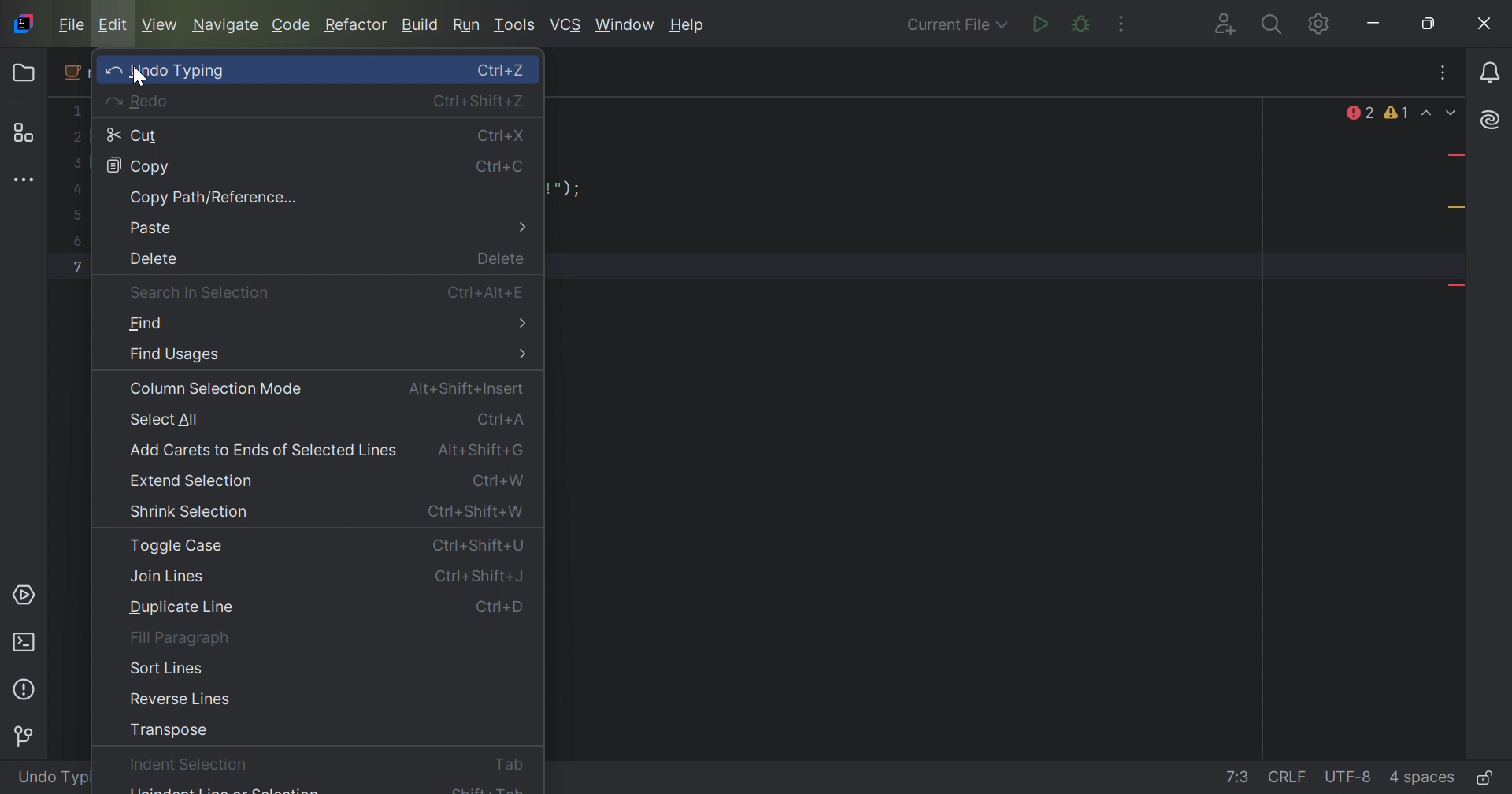 The image size is (1512, 794). I want to click on Edit, so click(113, 25).